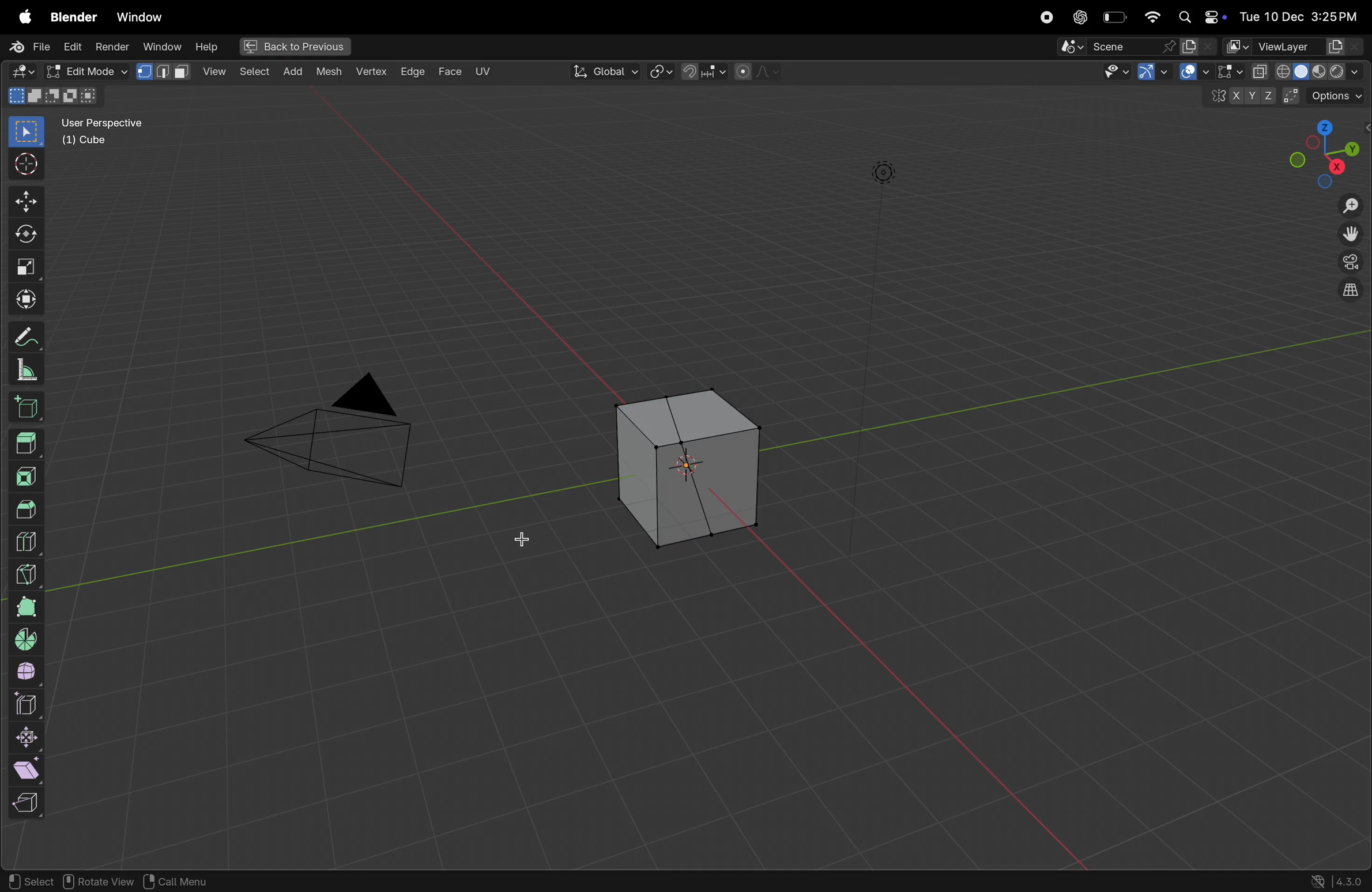 The width and height of the screenshot is (1372, 892). What do you see at coordinates (166, 71) in the screenshot?
I see `View` at bounding box center [166, 71].